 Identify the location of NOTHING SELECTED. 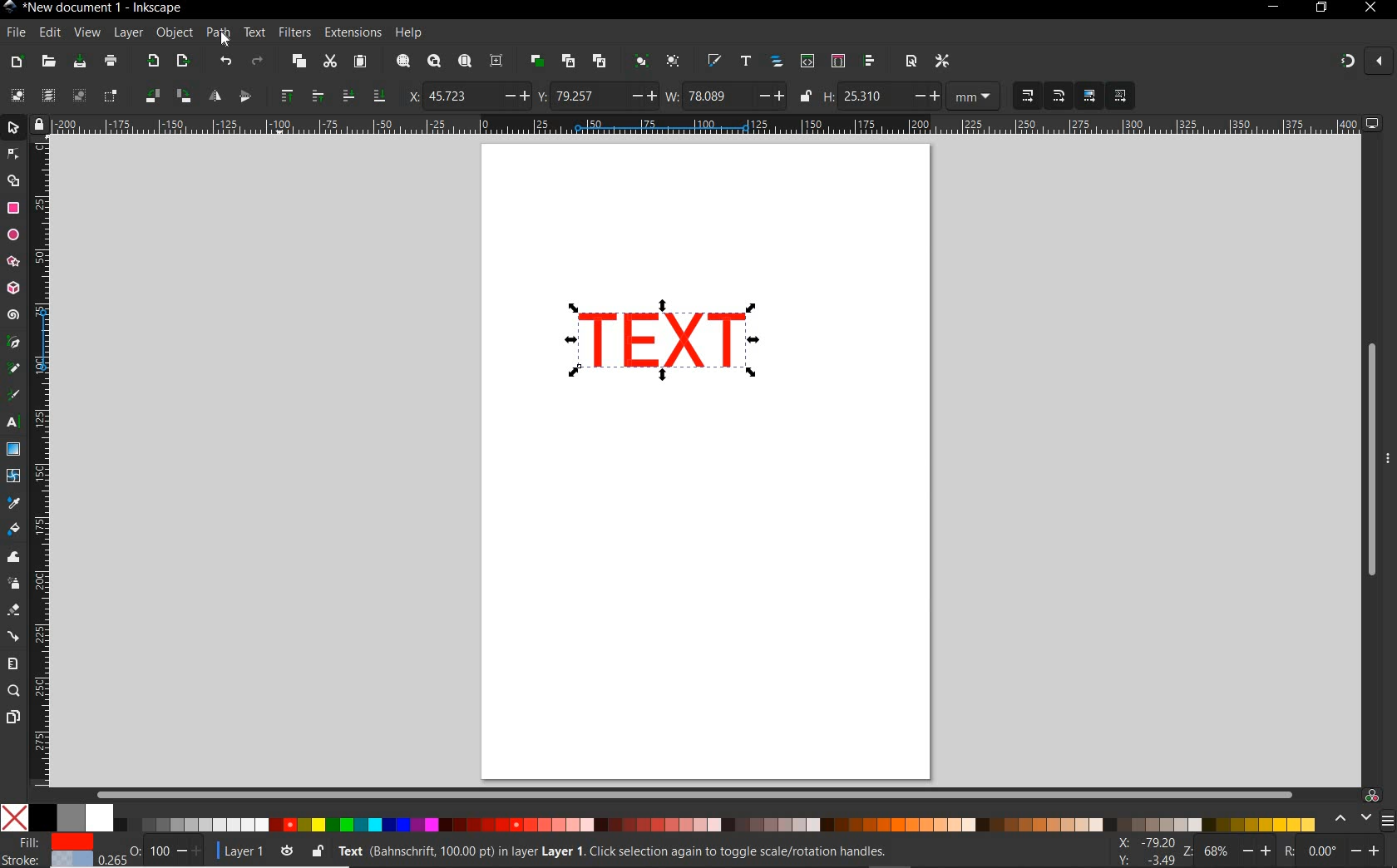
(166, 854).